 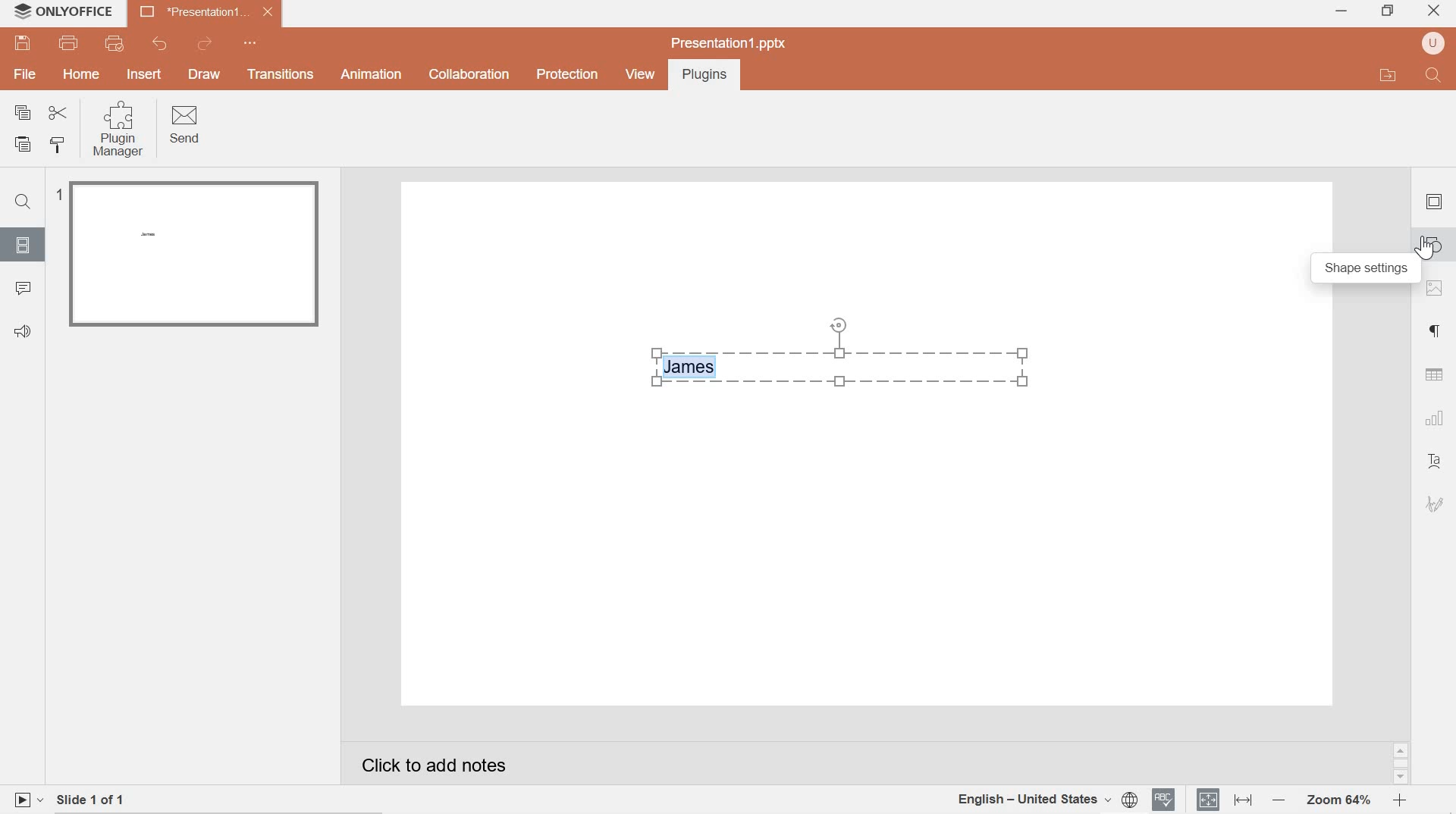 What do you see at coordinates (82, 76) in the screenshot?
I see `hOME` at bounding box center [82, 76].